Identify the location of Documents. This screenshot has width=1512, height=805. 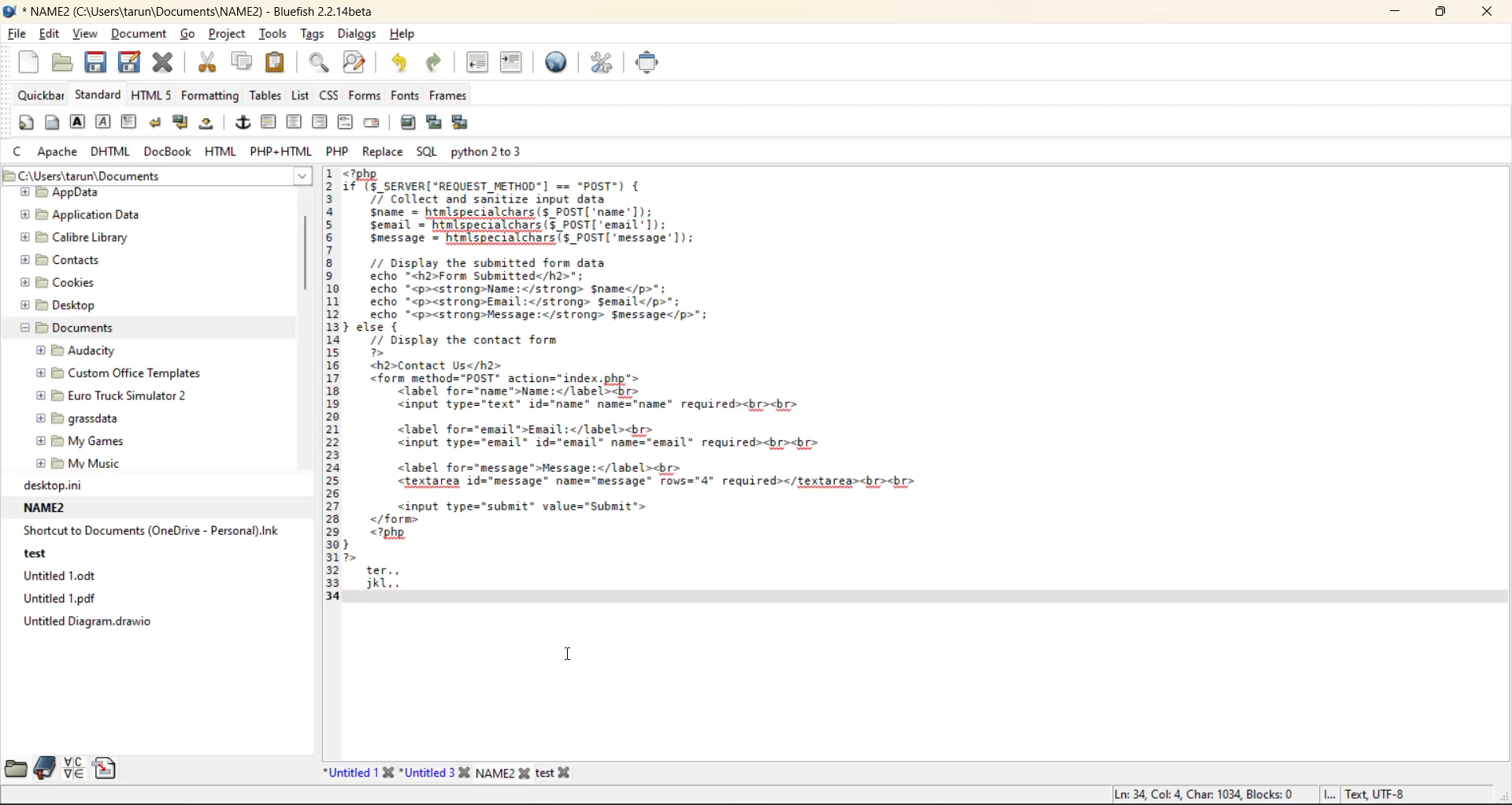
(63, 329).